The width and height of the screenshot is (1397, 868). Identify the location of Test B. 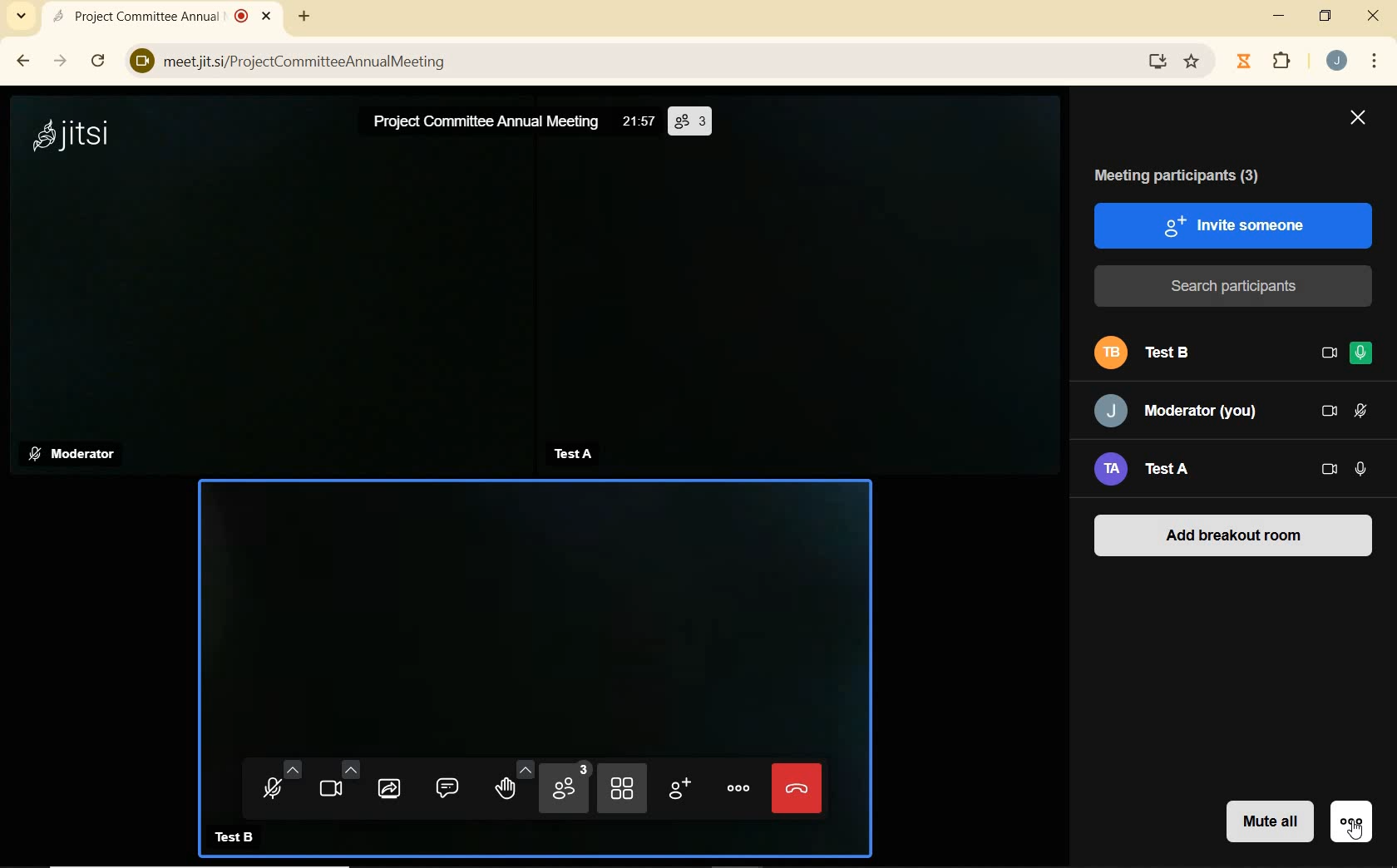
(1185, 353).